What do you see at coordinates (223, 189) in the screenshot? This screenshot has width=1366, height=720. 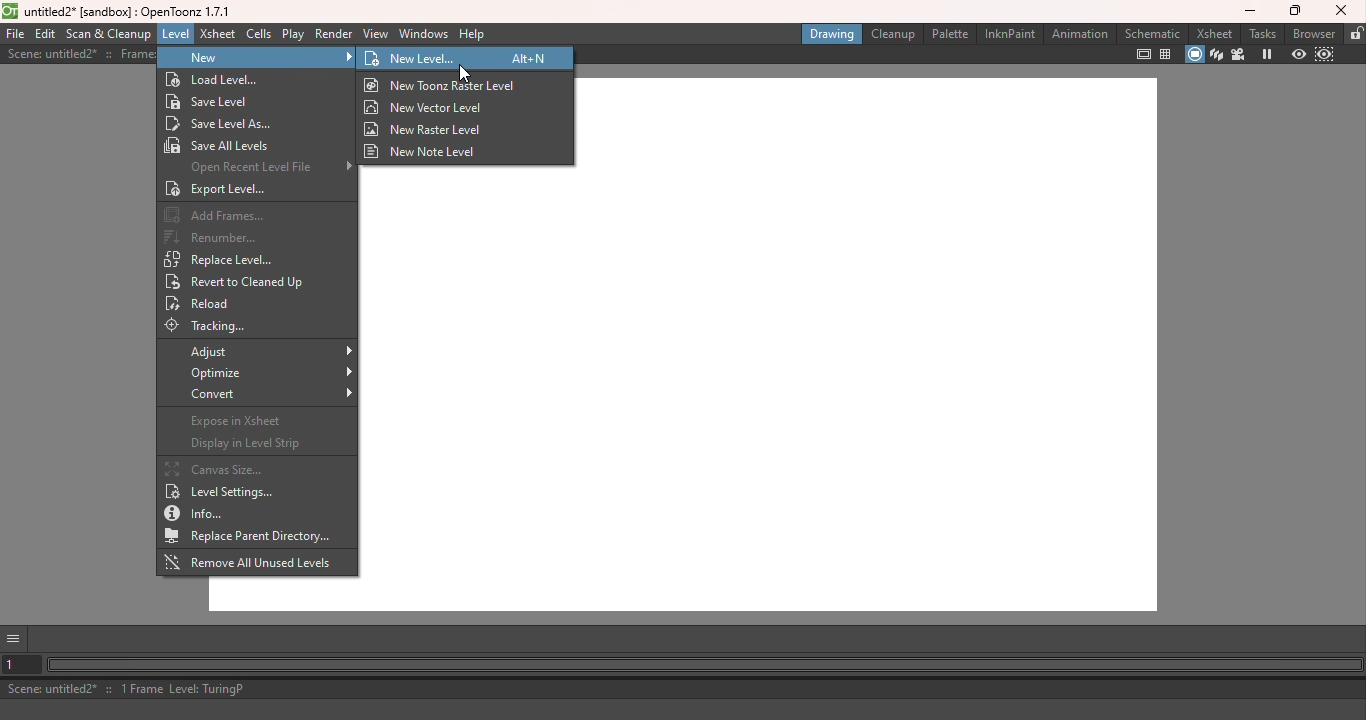 I see `Export level` at bounding box center [223, 189].